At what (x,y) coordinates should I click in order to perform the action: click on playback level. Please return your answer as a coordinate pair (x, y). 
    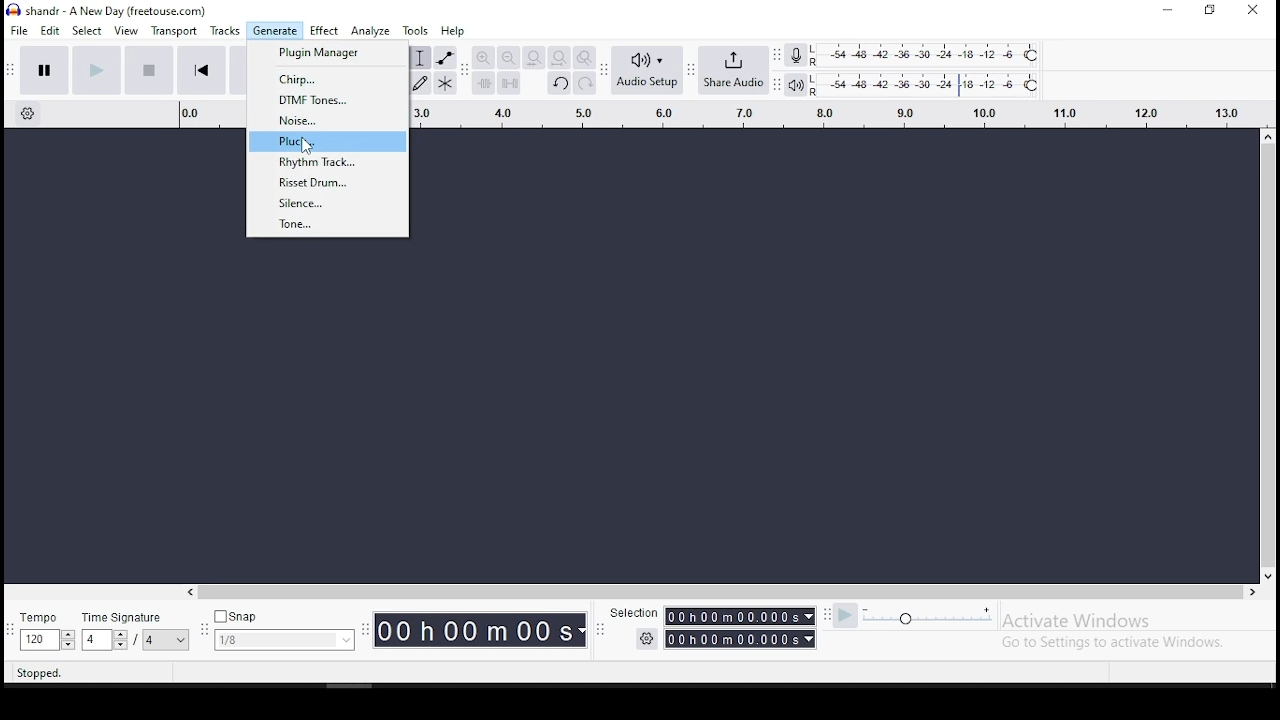
    Looking at the image, I should click on (928, 83).